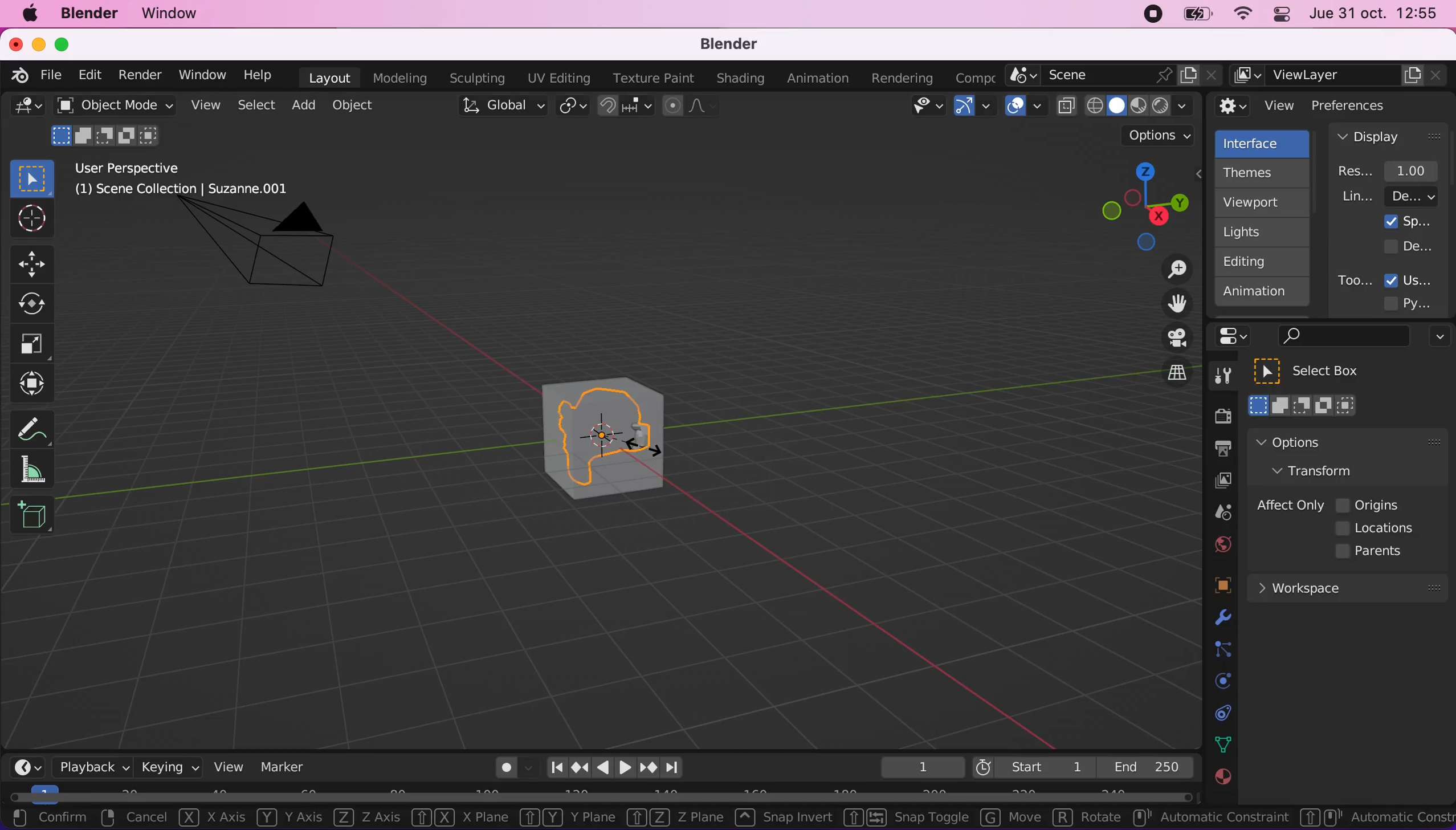  Describe the element at coordinates (1265, 202) in the screenshot. I see `viewport` at that location.